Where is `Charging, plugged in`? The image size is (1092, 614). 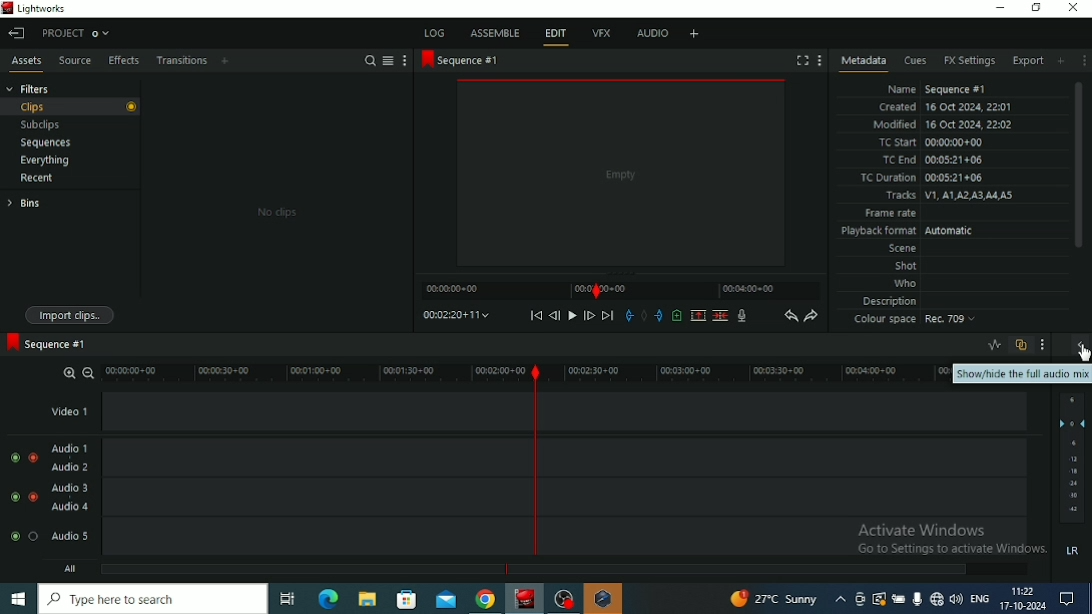 Charging, plugged in is located at coordinates (899, 599).